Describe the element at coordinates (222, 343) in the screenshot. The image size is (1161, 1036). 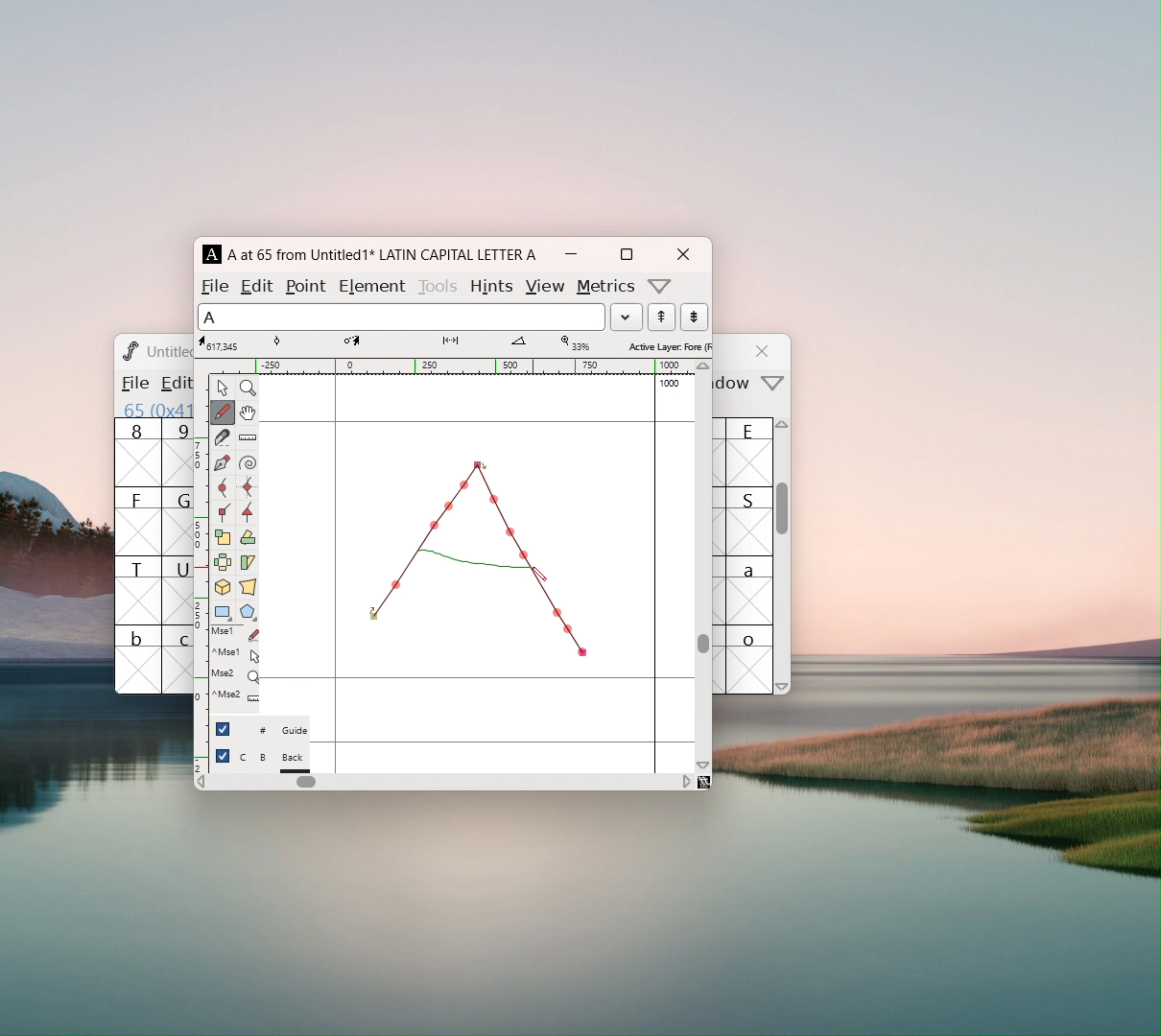
I see `cursor coordinates` at that location.